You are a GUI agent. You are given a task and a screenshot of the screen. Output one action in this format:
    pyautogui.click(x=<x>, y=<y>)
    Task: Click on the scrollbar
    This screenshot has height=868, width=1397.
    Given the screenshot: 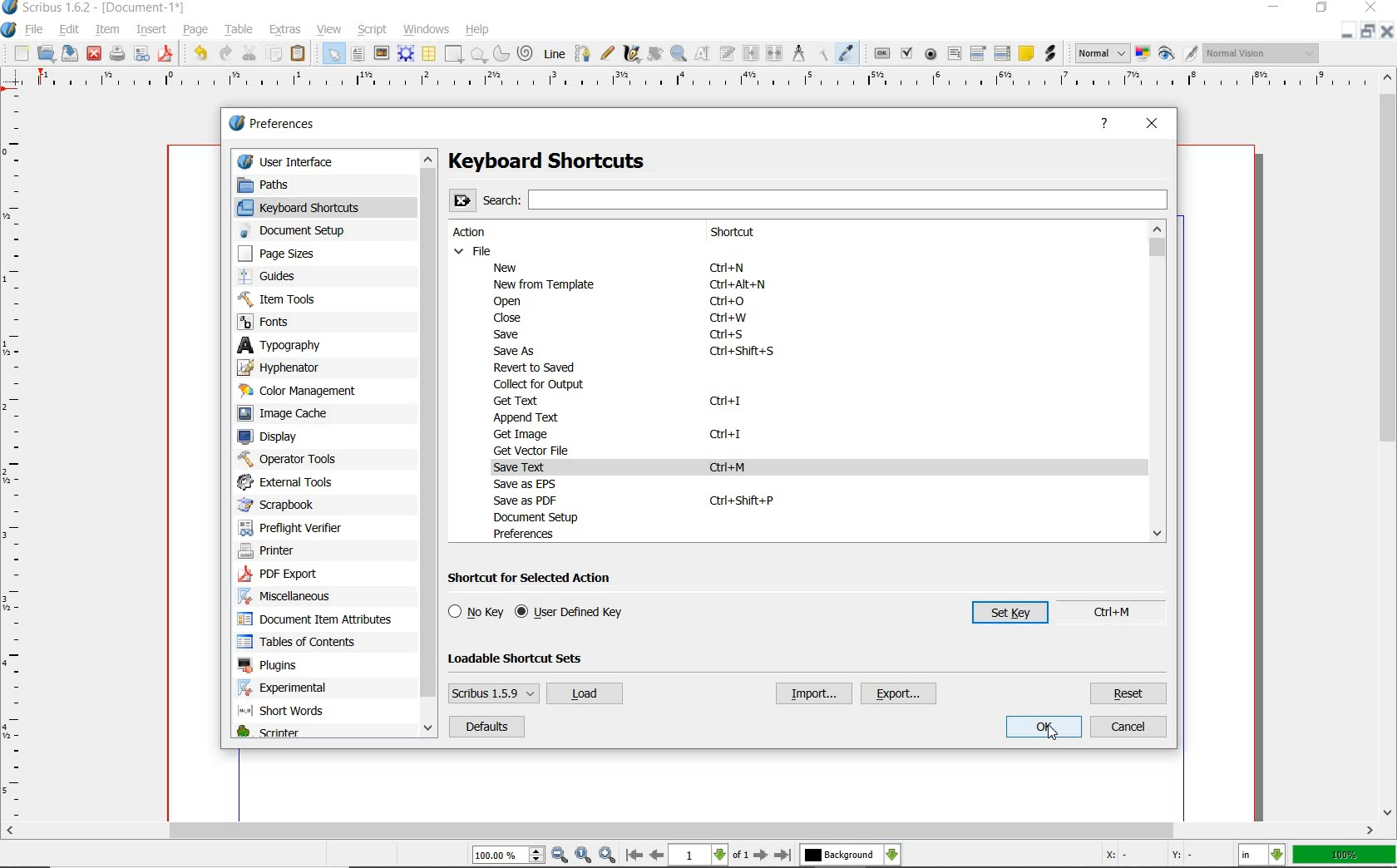 What is the action you would take?
    pyautogui.click(x=431, y=445)
    